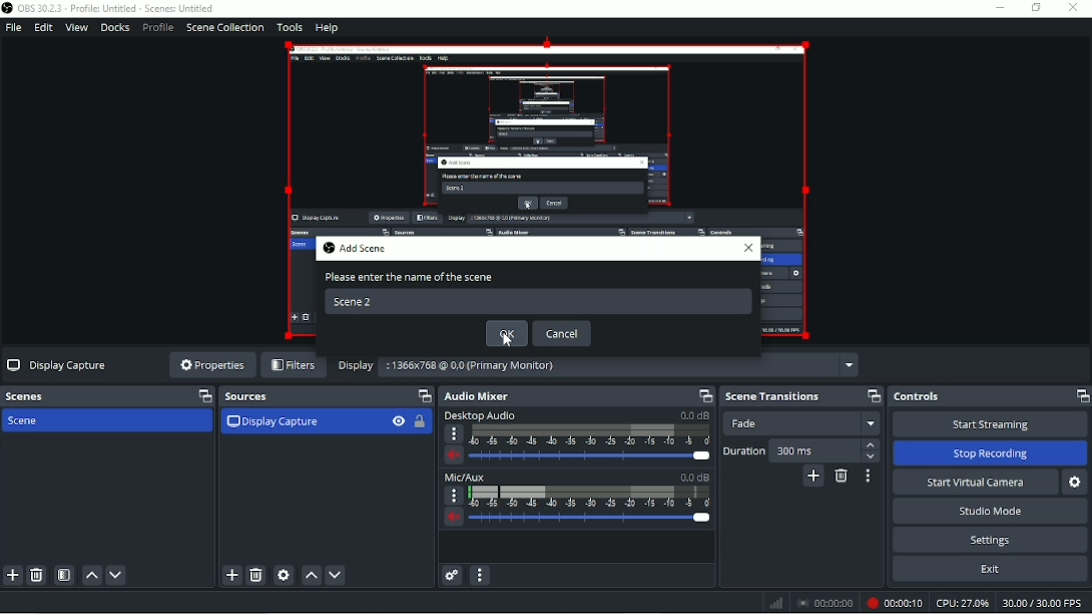  Describe the element at coordinates (328, 28) in the screenshot. I see `Help` at that location.